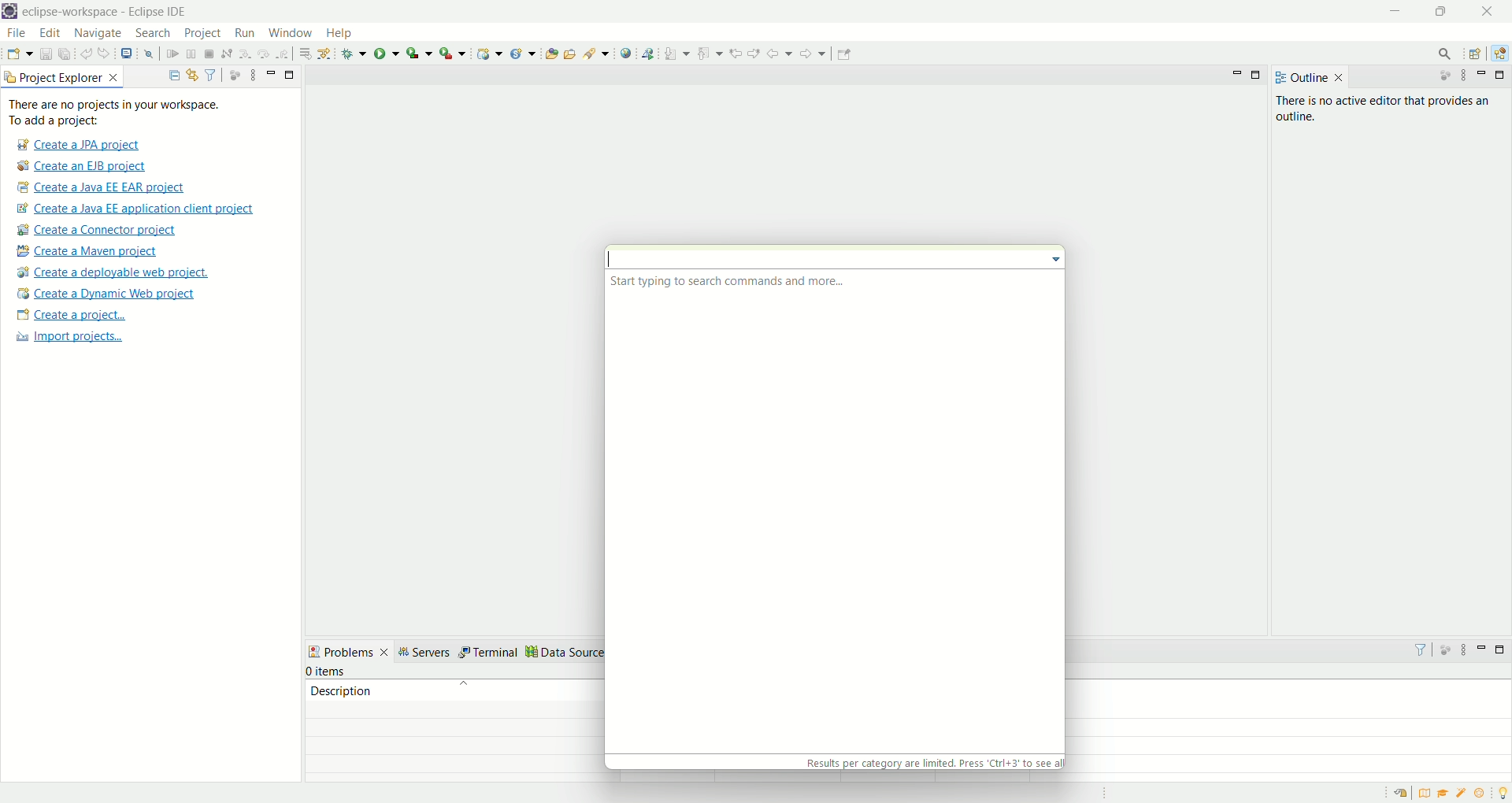 The image size is (1512, 803). Describe the element at coordinates (53, 34) in the screenshot. I see `edit` at that location.